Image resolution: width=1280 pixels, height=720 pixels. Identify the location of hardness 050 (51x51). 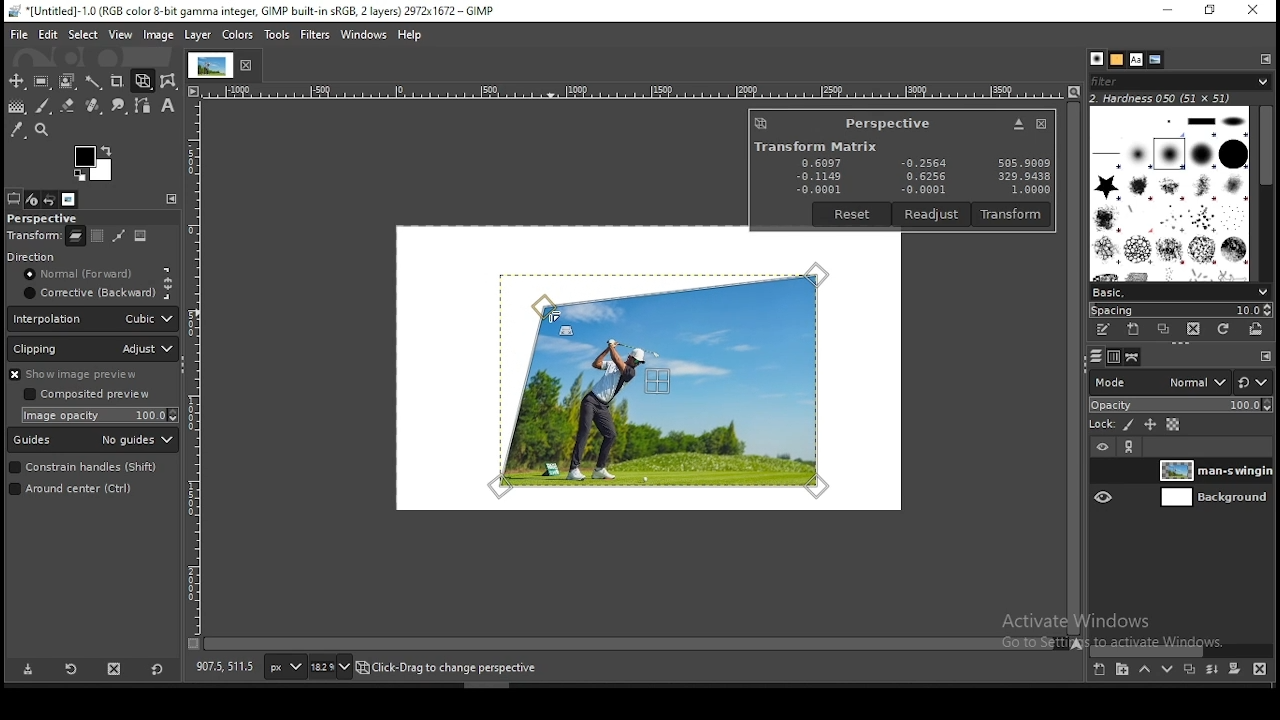
(1161, 99).